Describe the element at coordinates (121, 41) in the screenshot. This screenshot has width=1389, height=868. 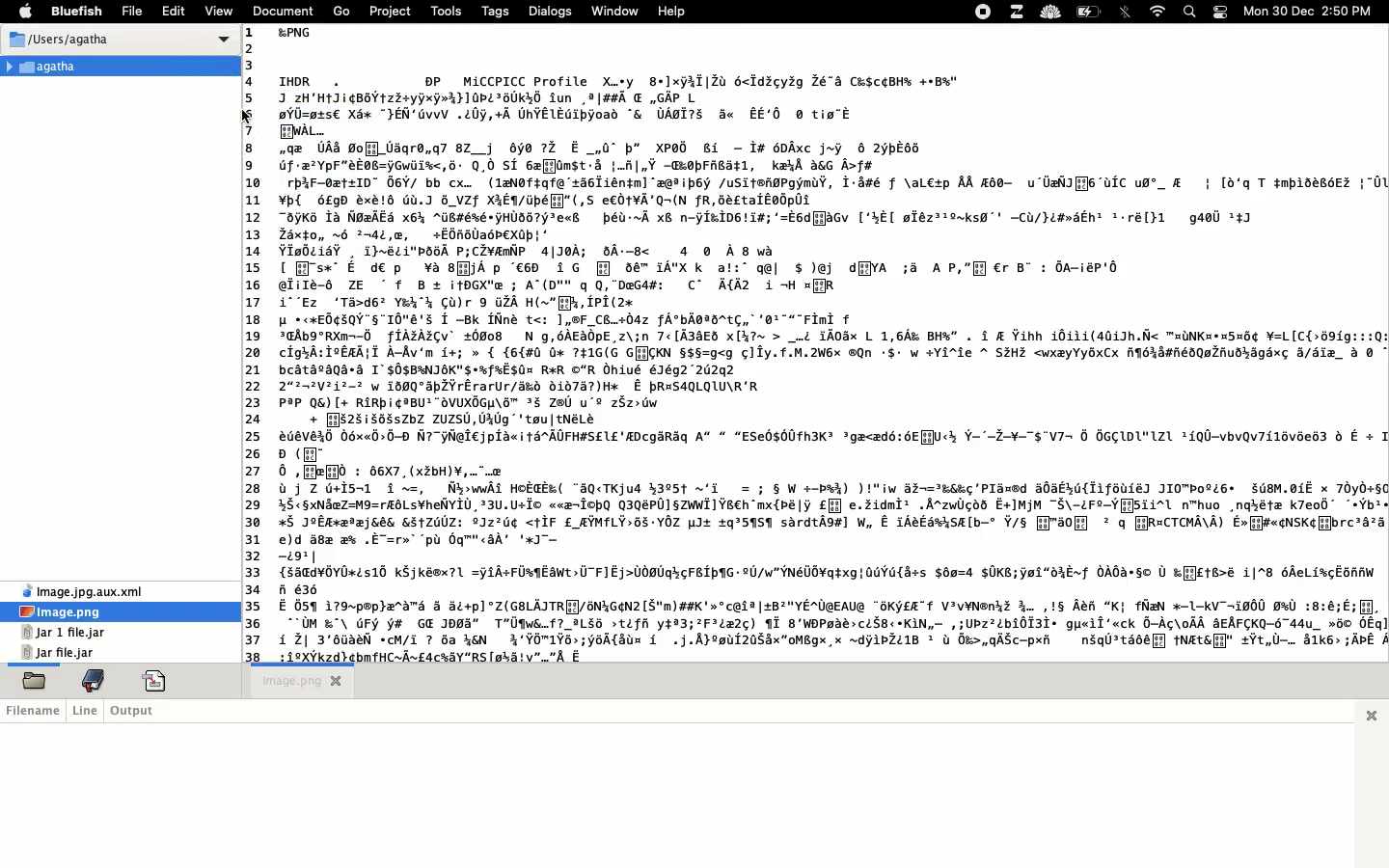
I see `users Agatha` at that location.